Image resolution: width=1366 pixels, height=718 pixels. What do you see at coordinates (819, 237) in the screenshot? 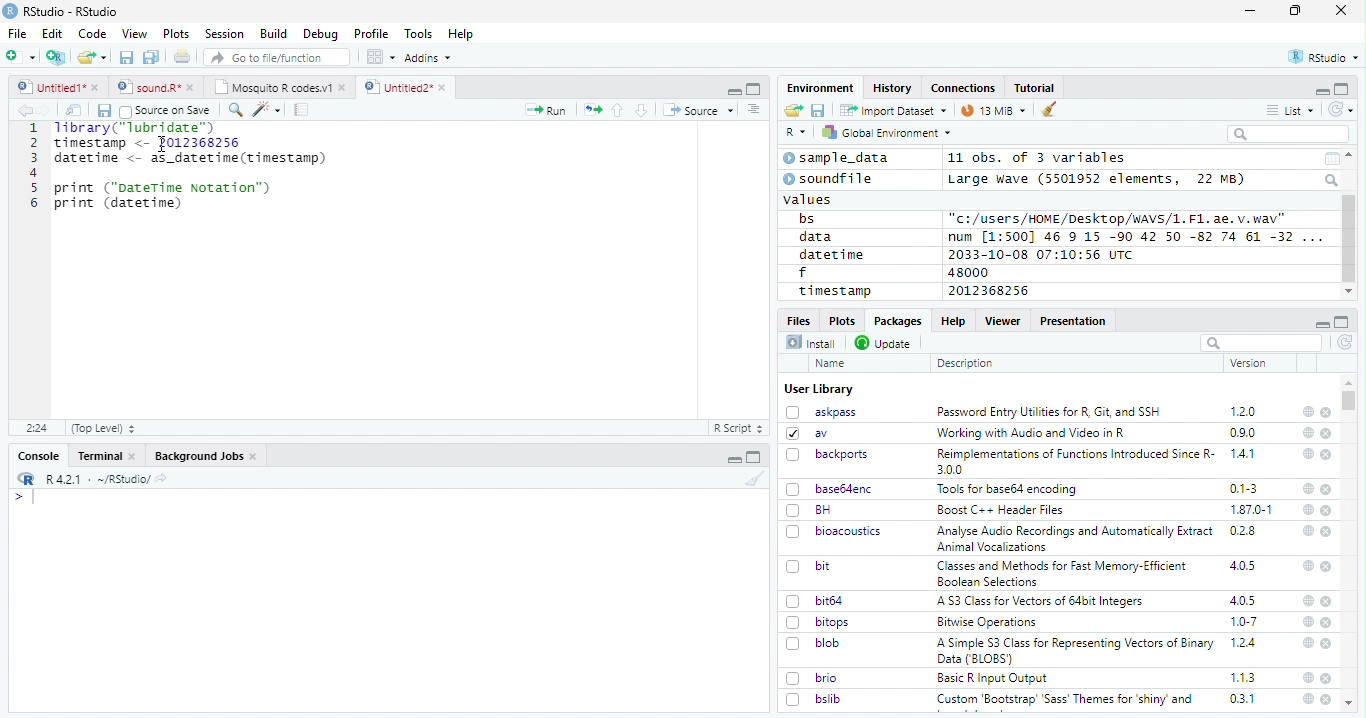
I see `data` at bounding box center [819, 237].